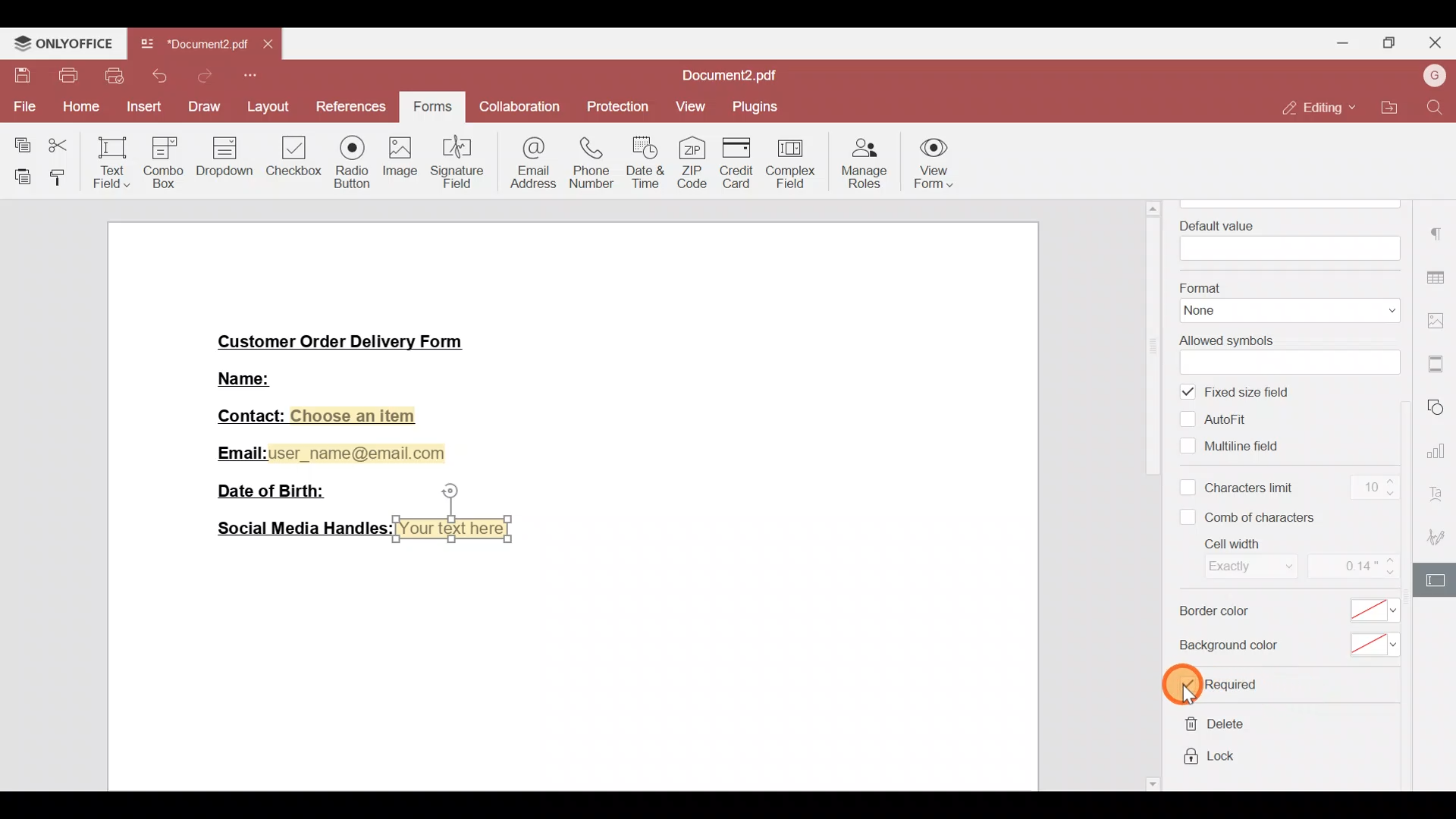  What do you see at coordinates (1285, 237) in the screenshot?
I see `Default value` at bounding box center [1285, 237].